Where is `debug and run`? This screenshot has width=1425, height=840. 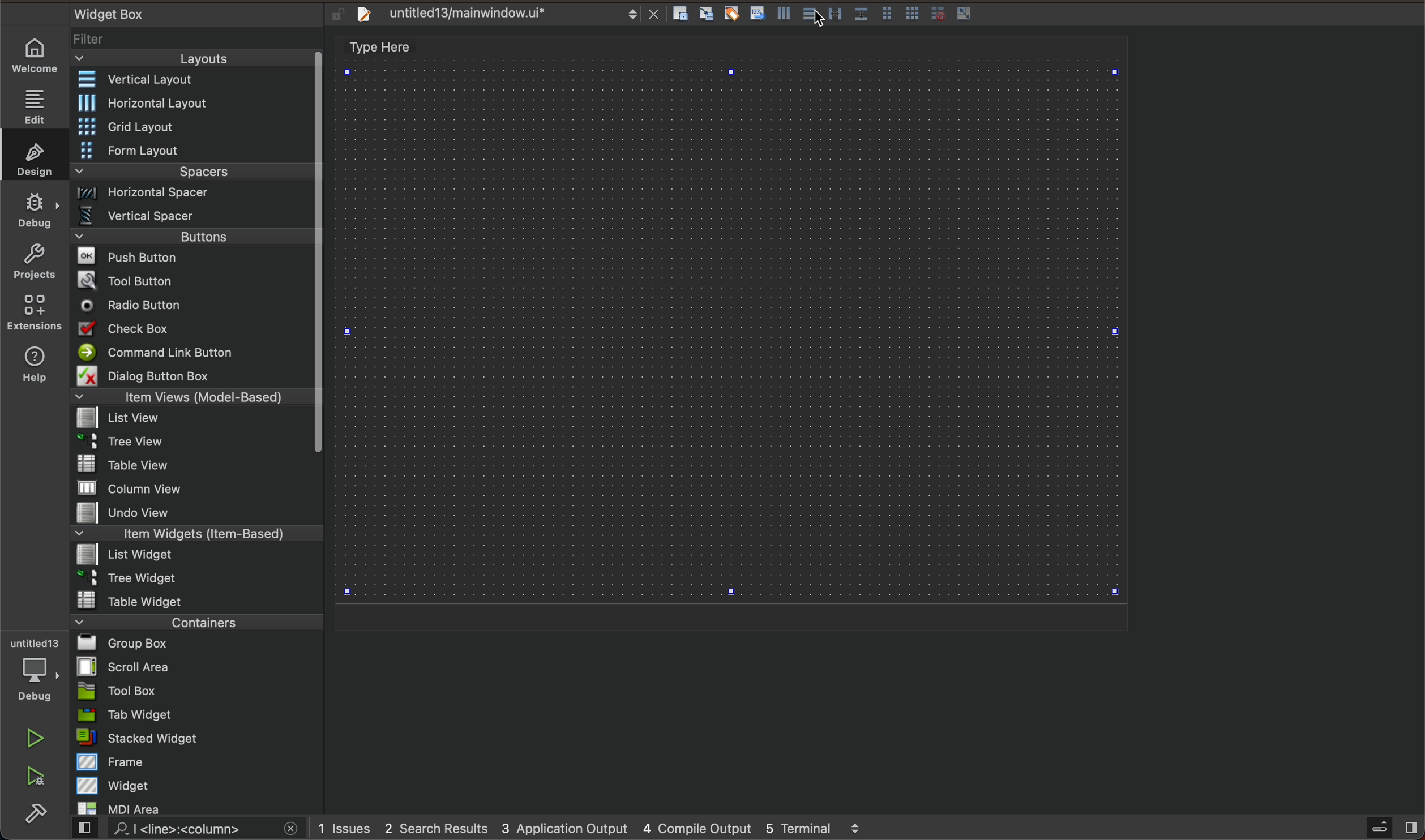 debug and run is located at coordinates (37, 775).